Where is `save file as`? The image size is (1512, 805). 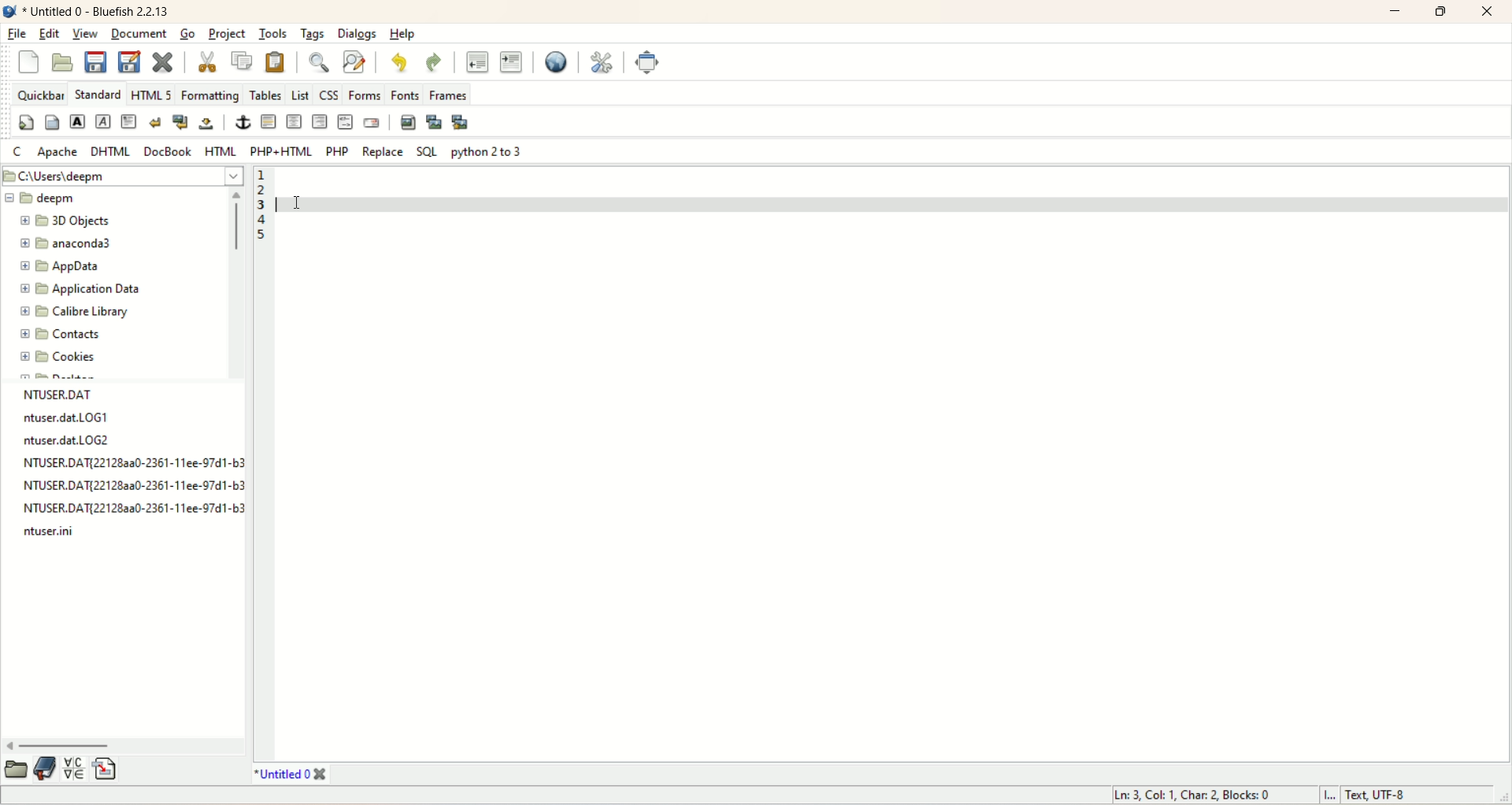
save file as is located at coordinates (130, 63).